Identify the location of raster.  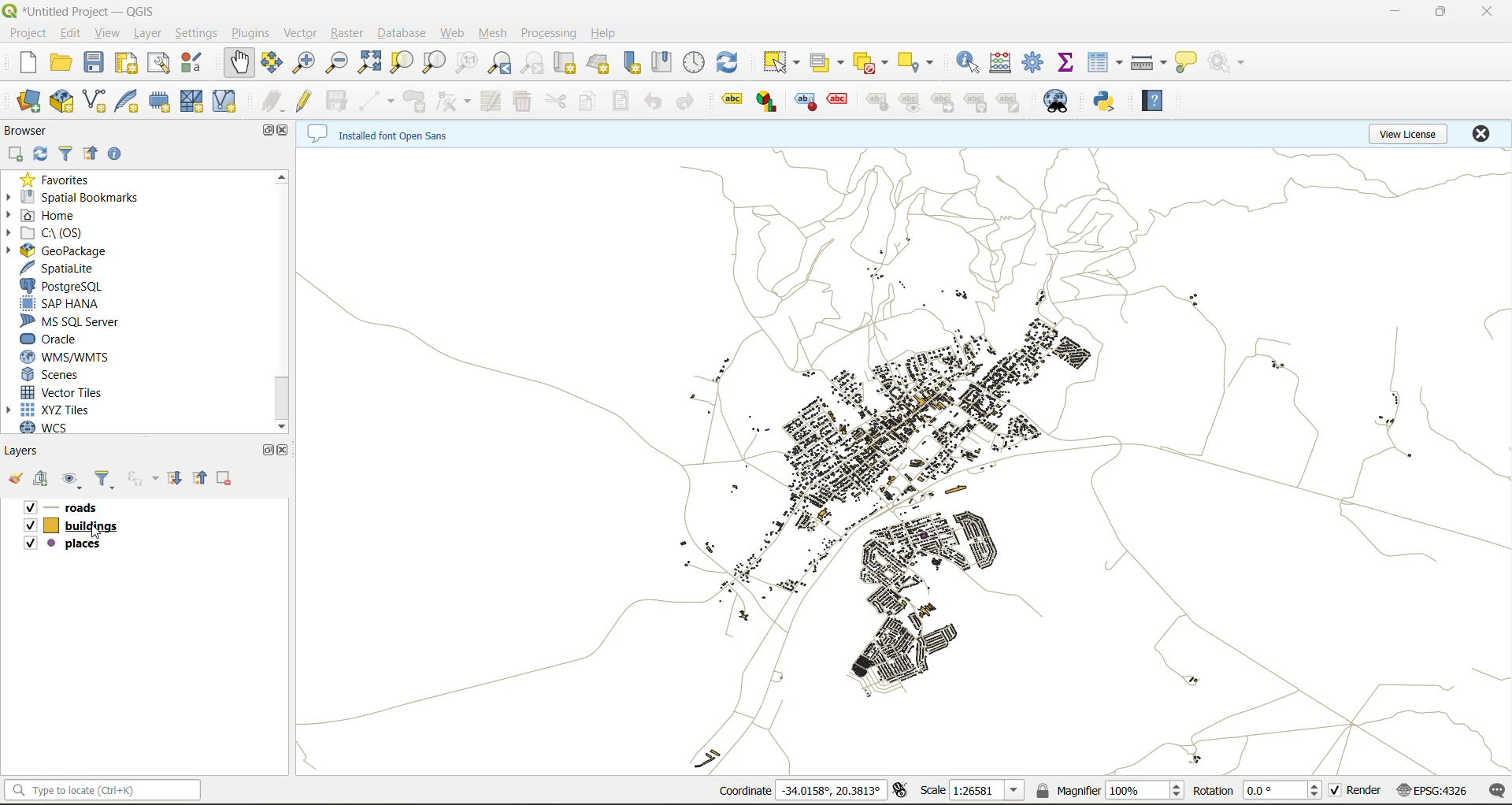
(345, 34).